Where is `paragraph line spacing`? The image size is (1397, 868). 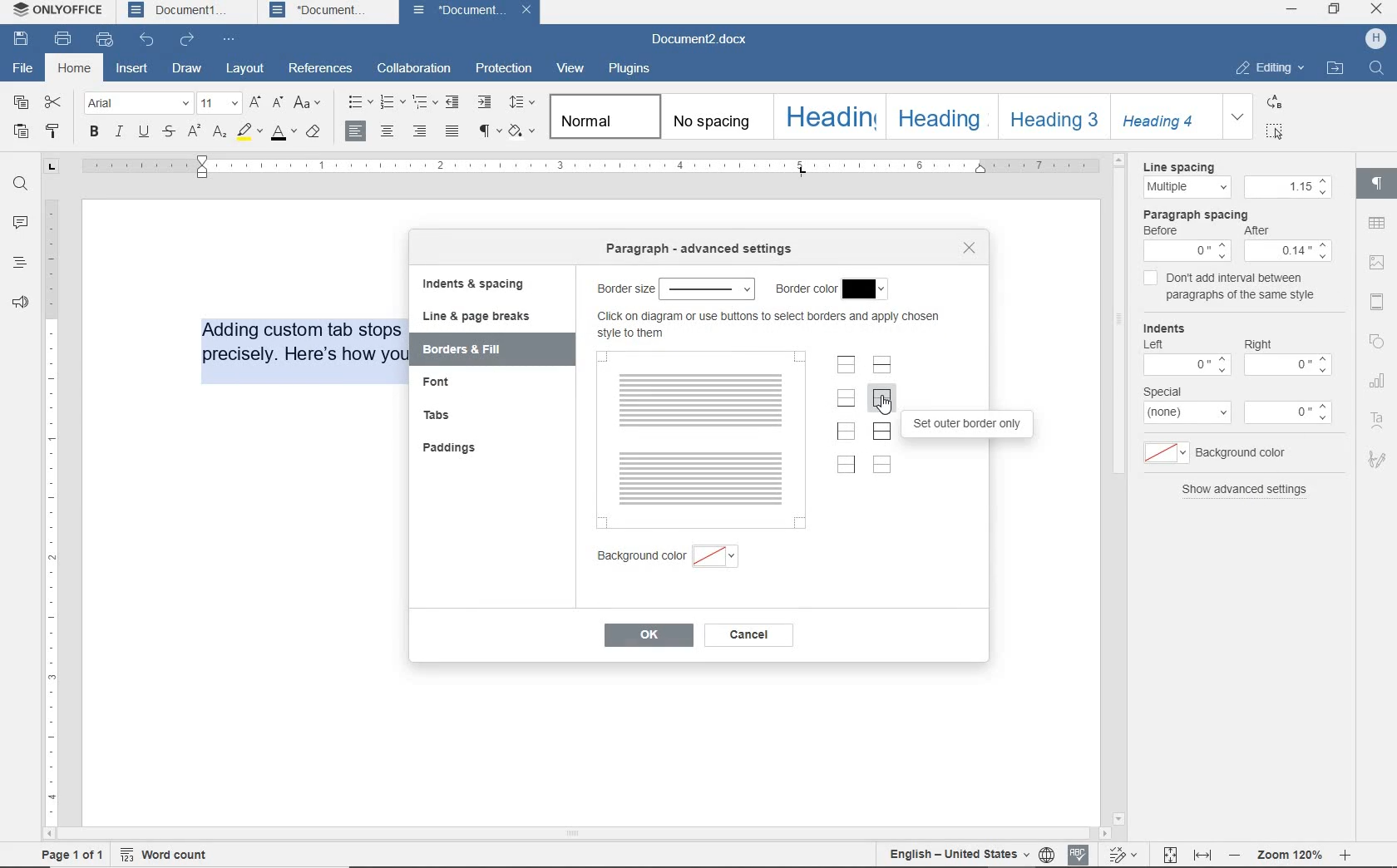 paragraph line spacing is located at coordinates (522, 101).